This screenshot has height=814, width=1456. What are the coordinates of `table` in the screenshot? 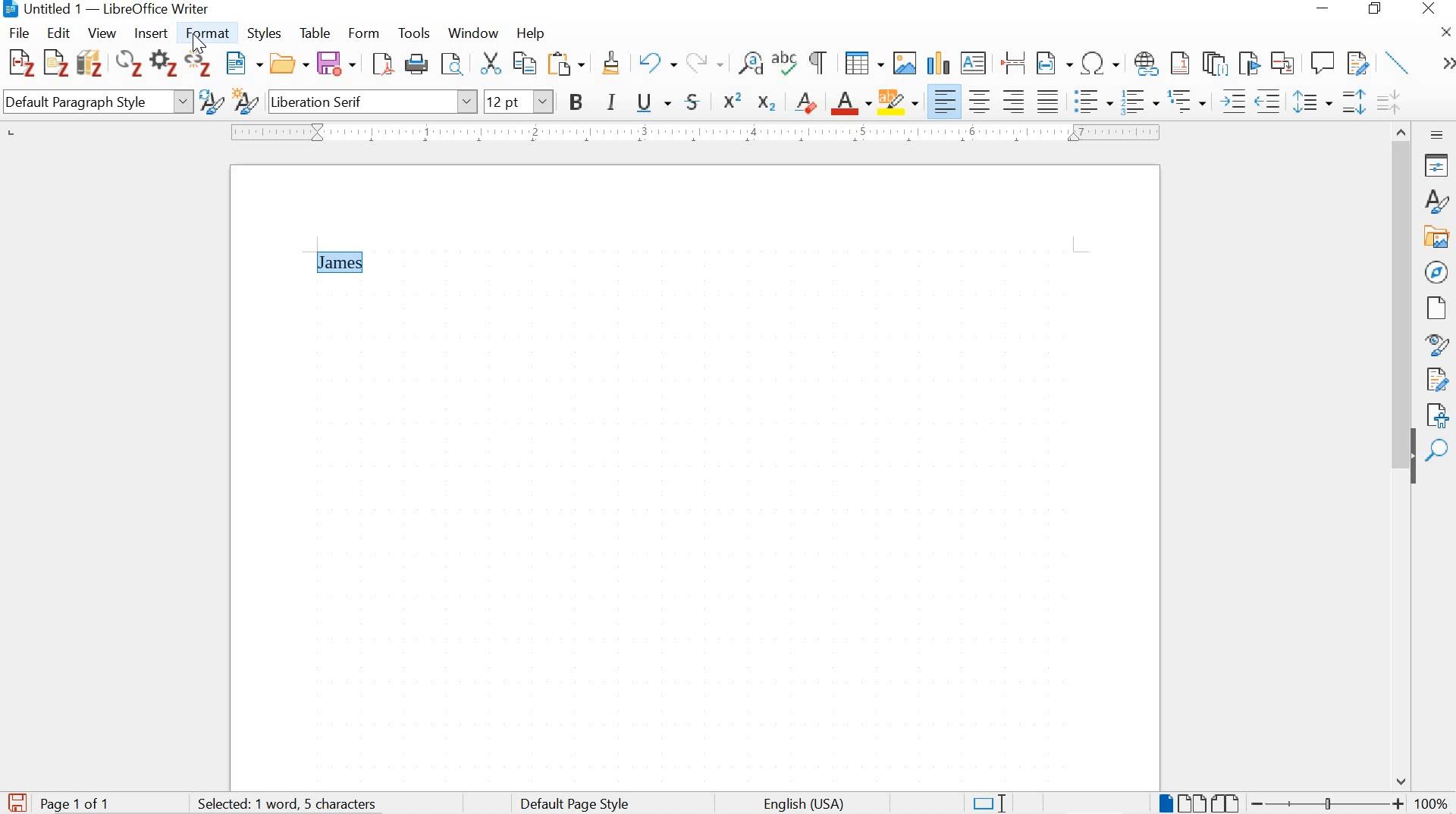 It's located at (315, 33).